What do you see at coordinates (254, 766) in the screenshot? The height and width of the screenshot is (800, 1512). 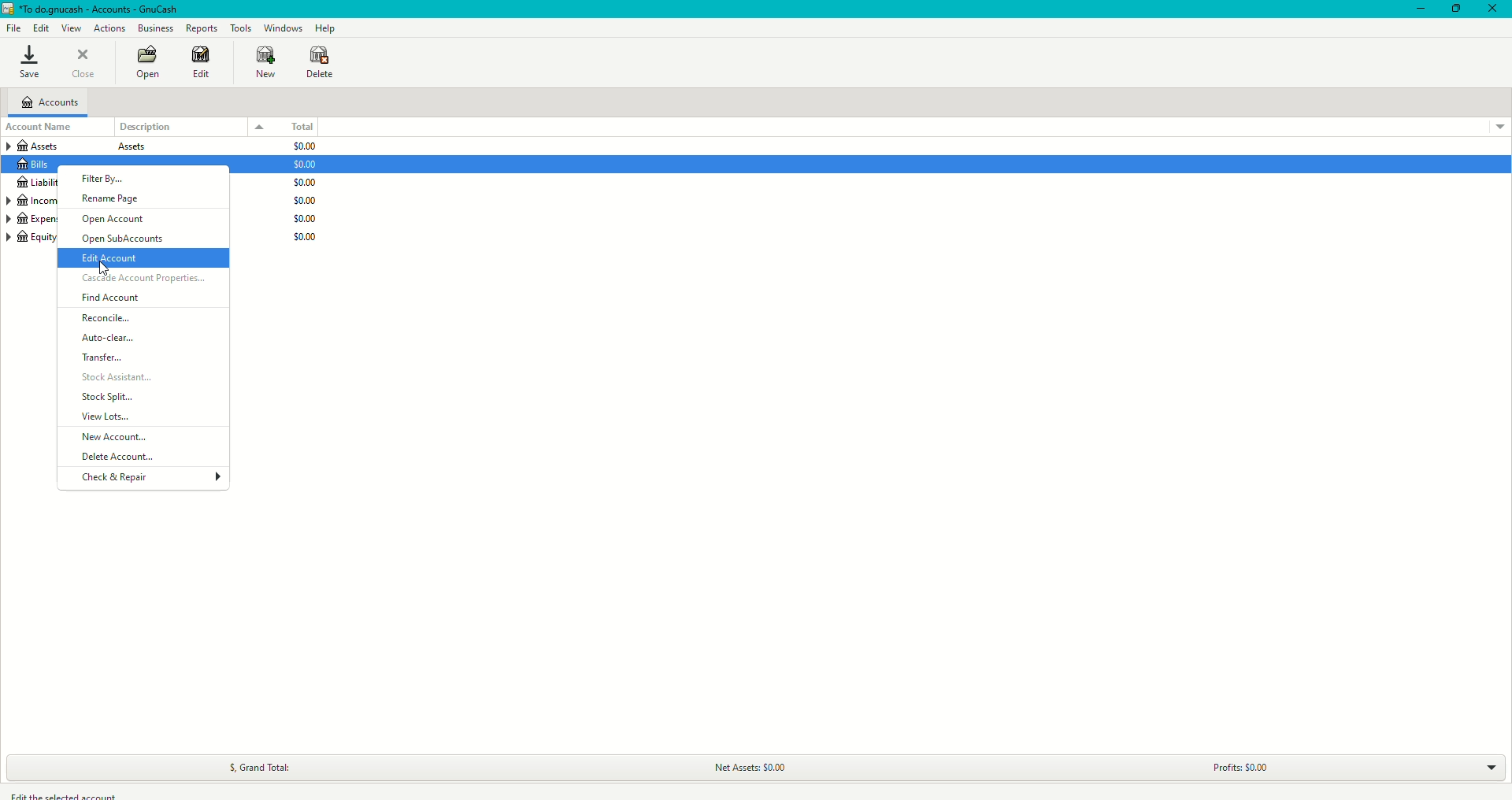 I see `Grand Total` at bounding box center [254, 766].